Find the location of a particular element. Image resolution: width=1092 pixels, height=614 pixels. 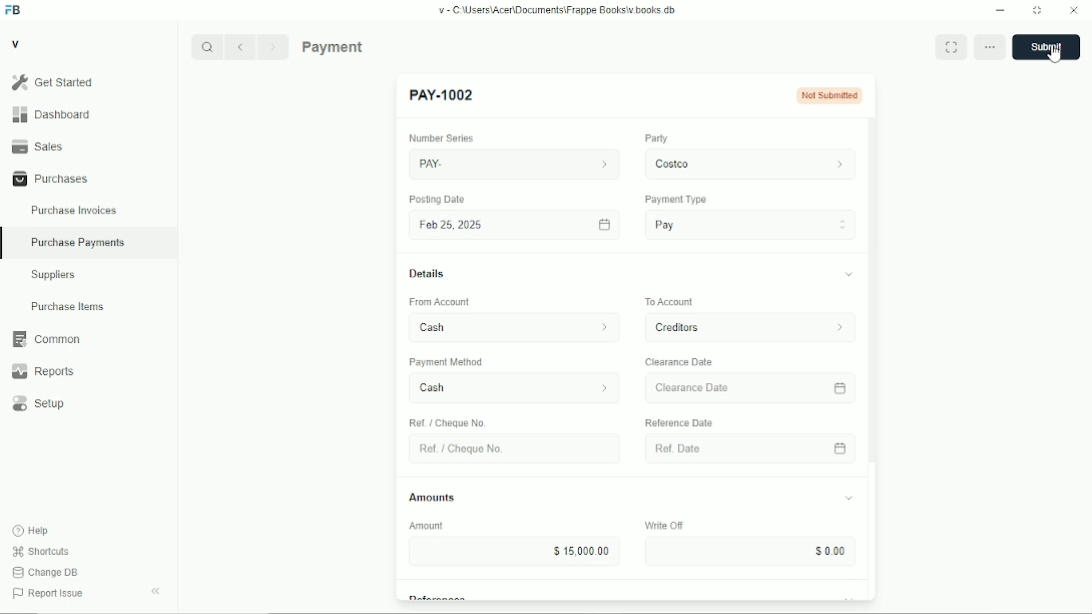

From Account is located at coordinates (508, 325).